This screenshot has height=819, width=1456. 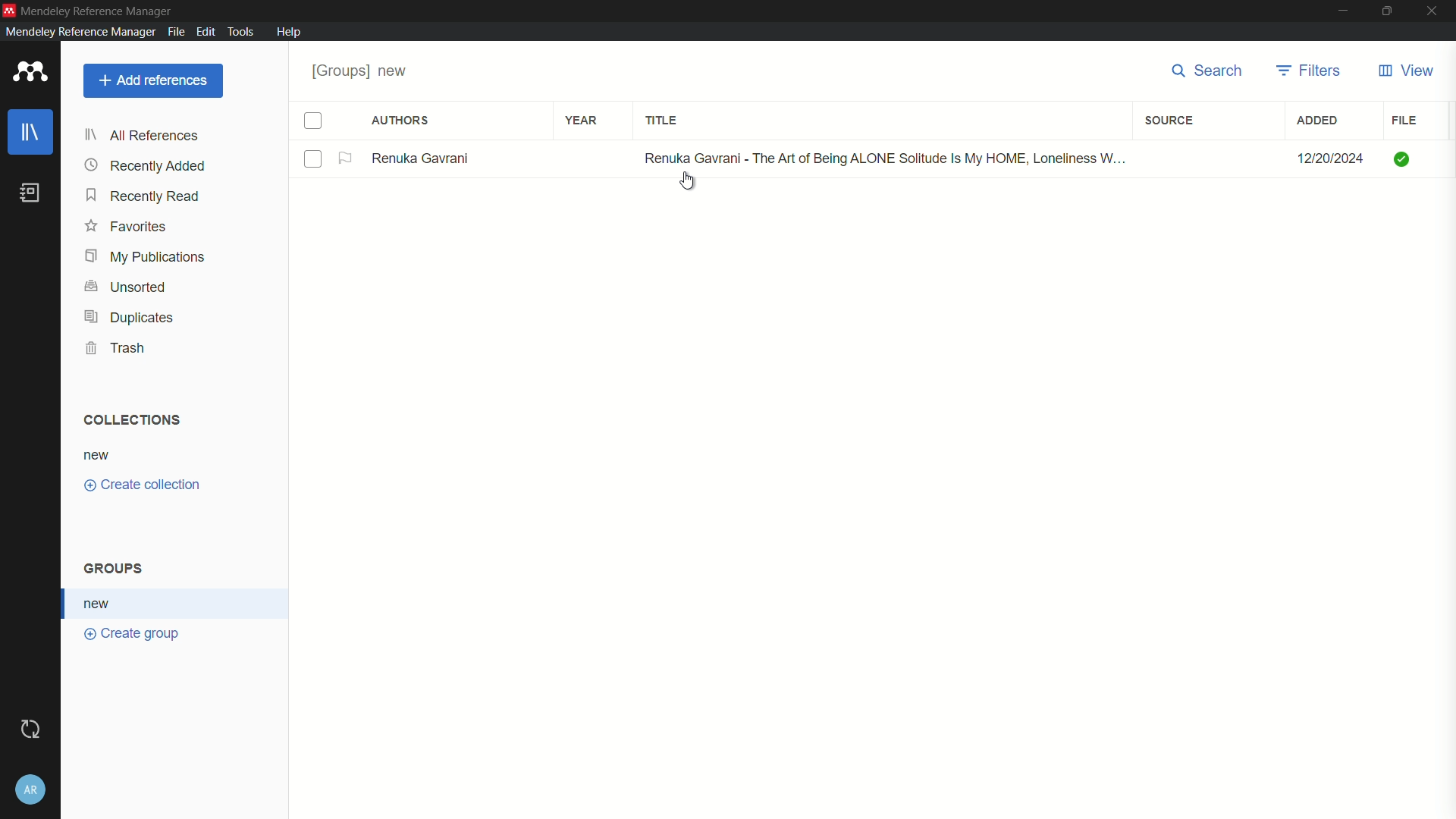 What do you see at coordinates (581, 119) in the screenshot?
I see `year` at bounding box center [581, 119].